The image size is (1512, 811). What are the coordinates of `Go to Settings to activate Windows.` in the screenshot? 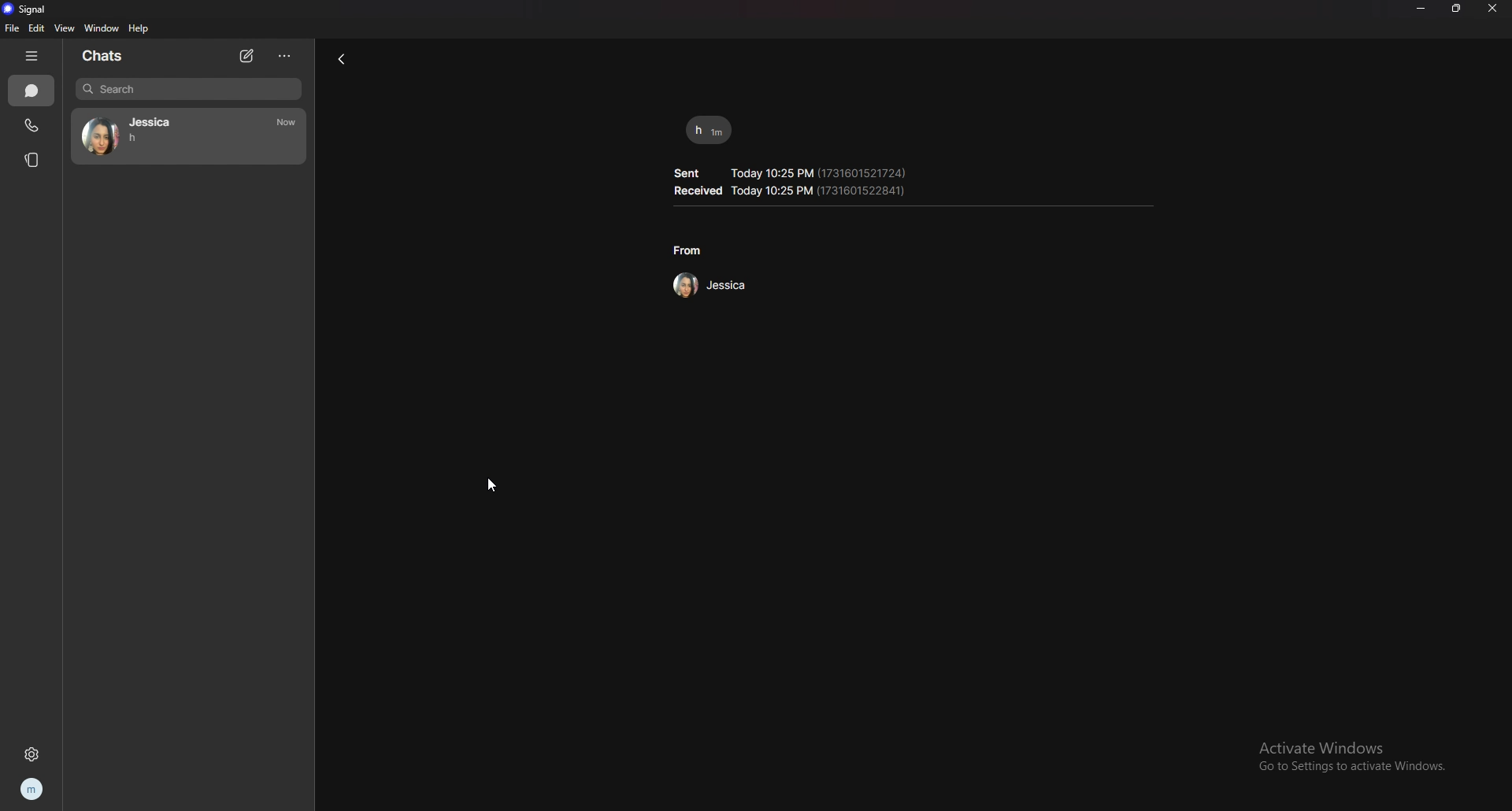 It's located at (1344, 768).